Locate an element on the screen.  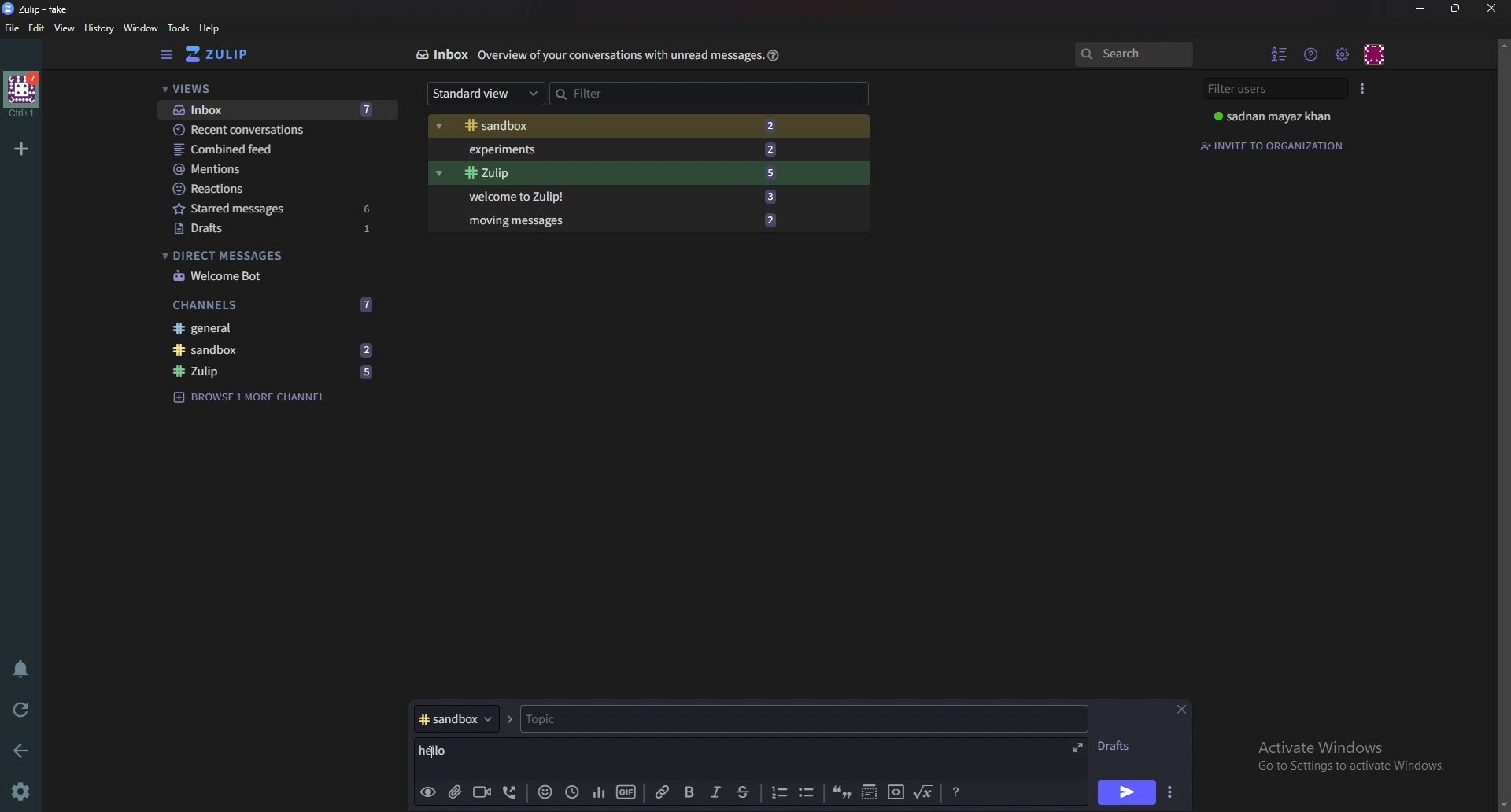
Mentions is located at coordinates (272, 169).